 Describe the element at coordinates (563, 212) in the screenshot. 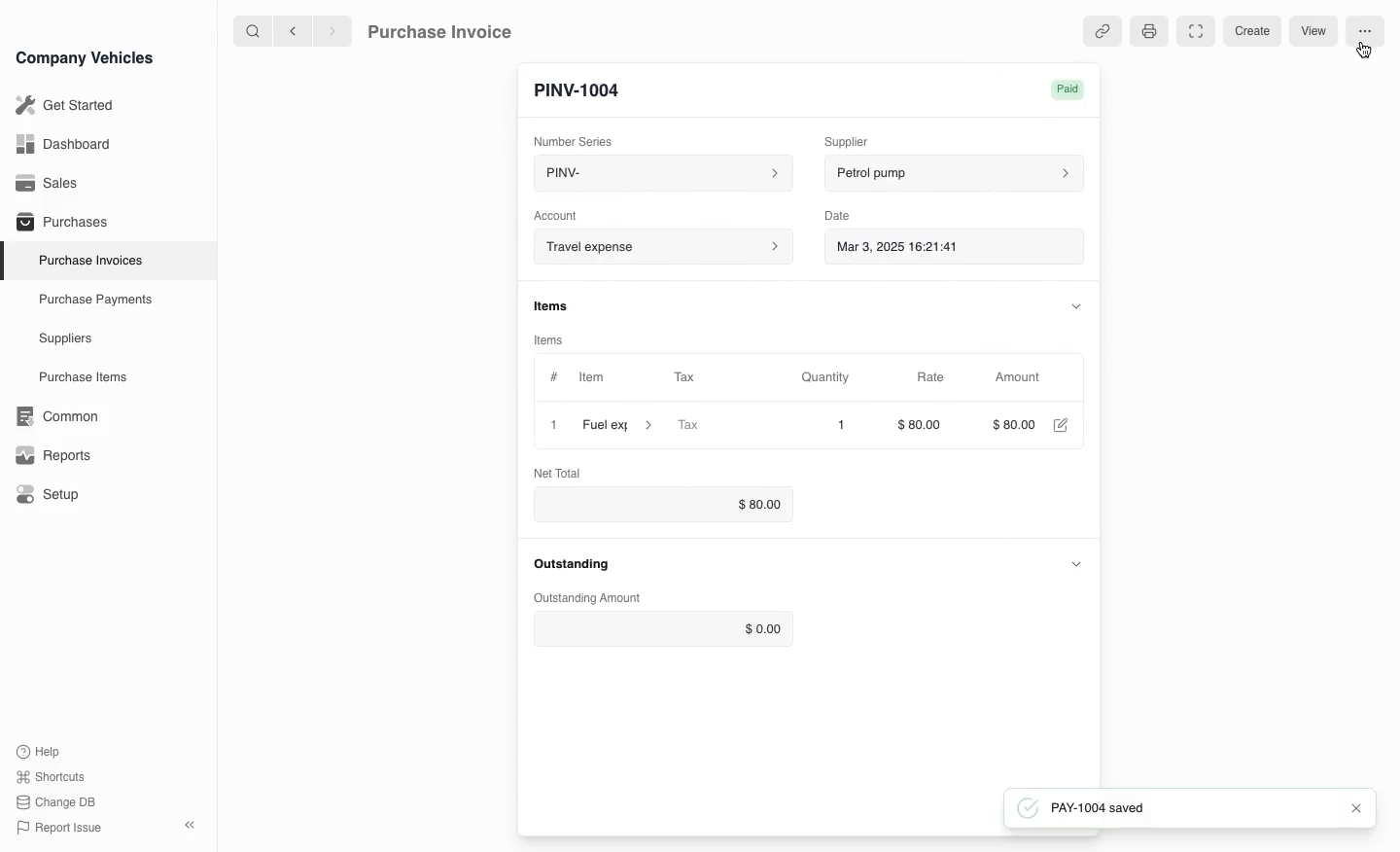

I see `Account` at that location.